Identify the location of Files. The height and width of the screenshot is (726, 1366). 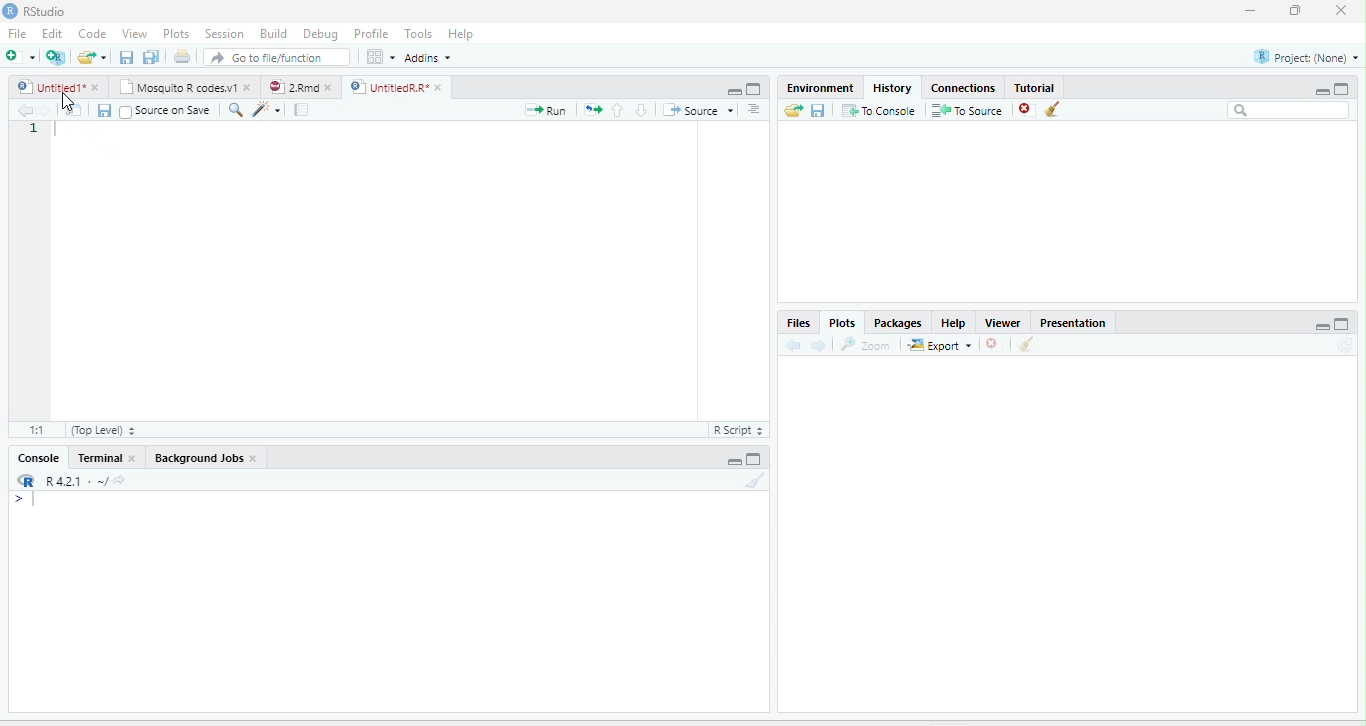
(799, 323).